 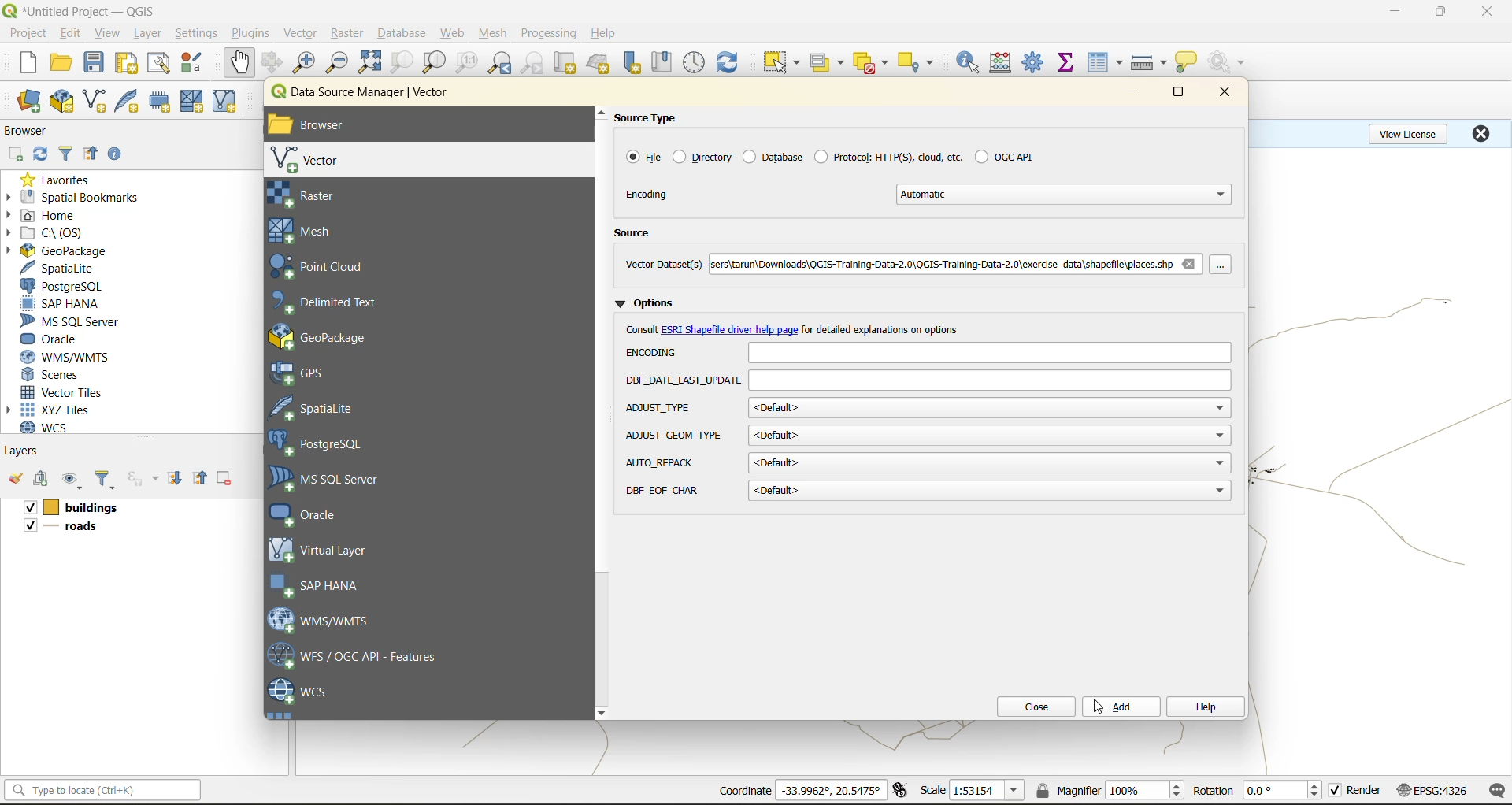 I want to click on add, so click(x=14, y=155).